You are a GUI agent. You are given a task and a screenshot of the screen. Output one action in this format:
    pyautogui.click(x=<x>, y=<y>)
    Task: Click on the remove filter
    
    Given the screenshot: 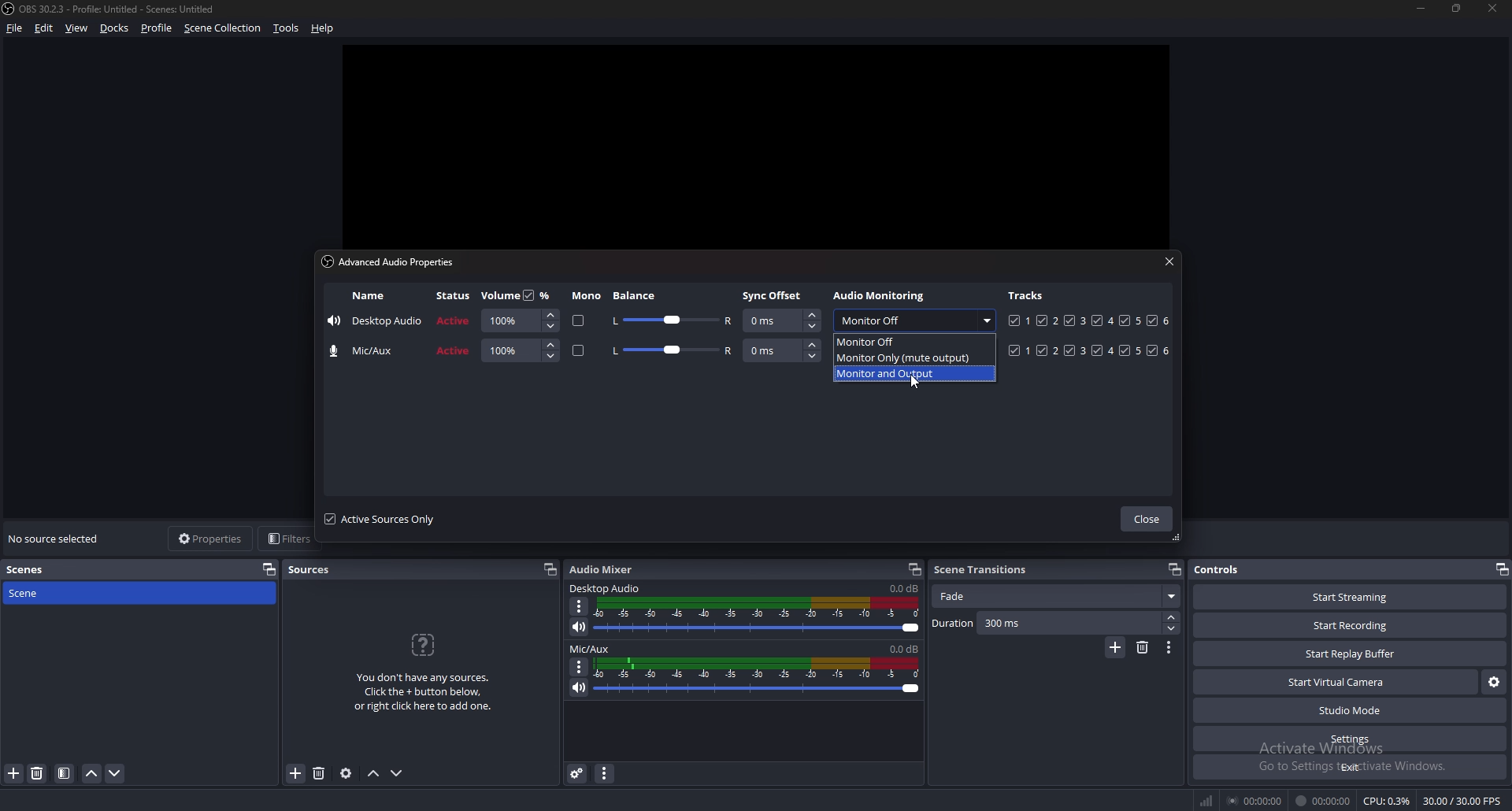 What is the action you would take?
    pyautogui.click(x=38, y=773)
    